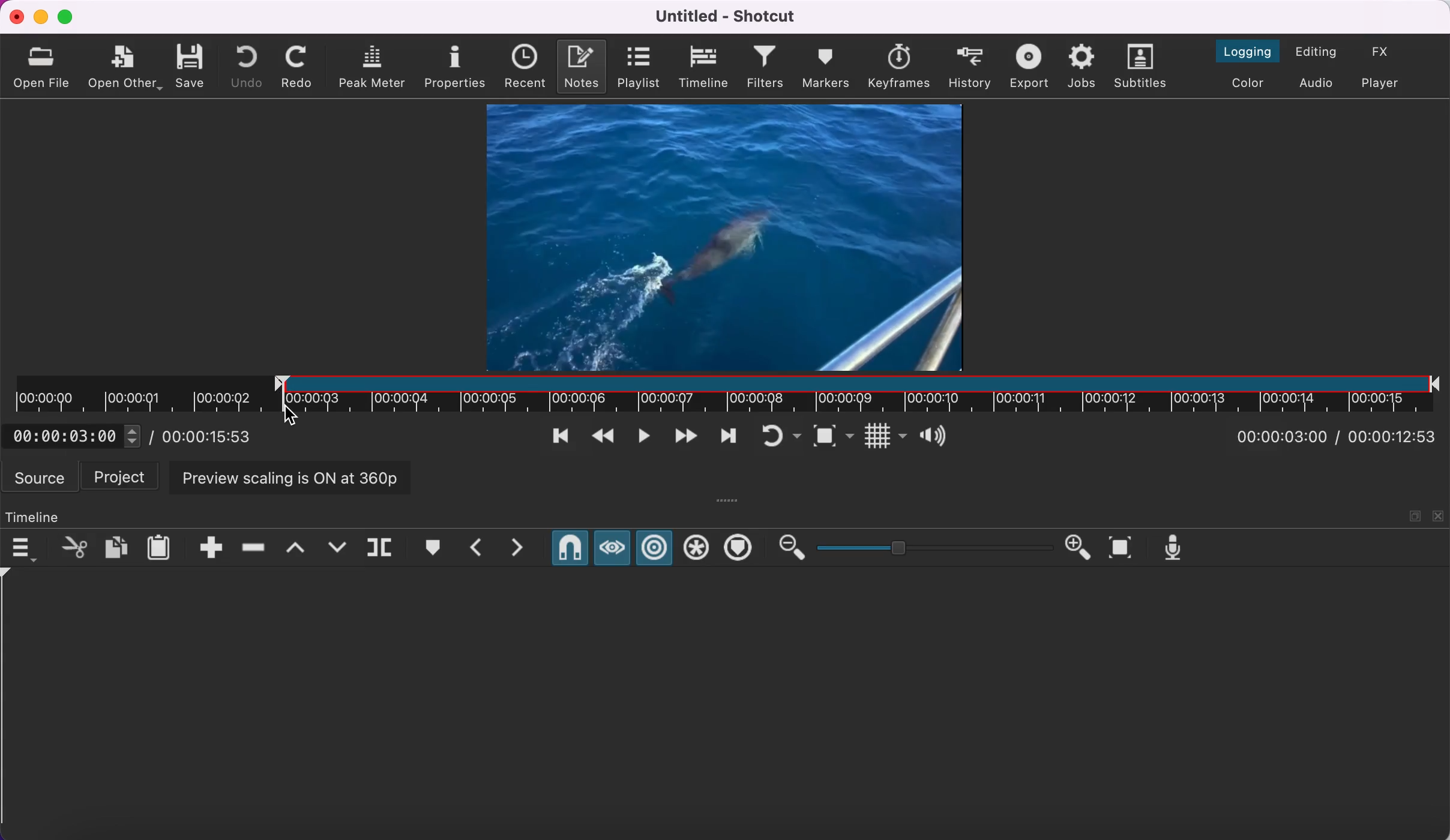 This screenshot has width=1450, height=840. Describe the element at coordinates (1384, 53) in the screenshot. I see `switch to the effects layout` at that location.